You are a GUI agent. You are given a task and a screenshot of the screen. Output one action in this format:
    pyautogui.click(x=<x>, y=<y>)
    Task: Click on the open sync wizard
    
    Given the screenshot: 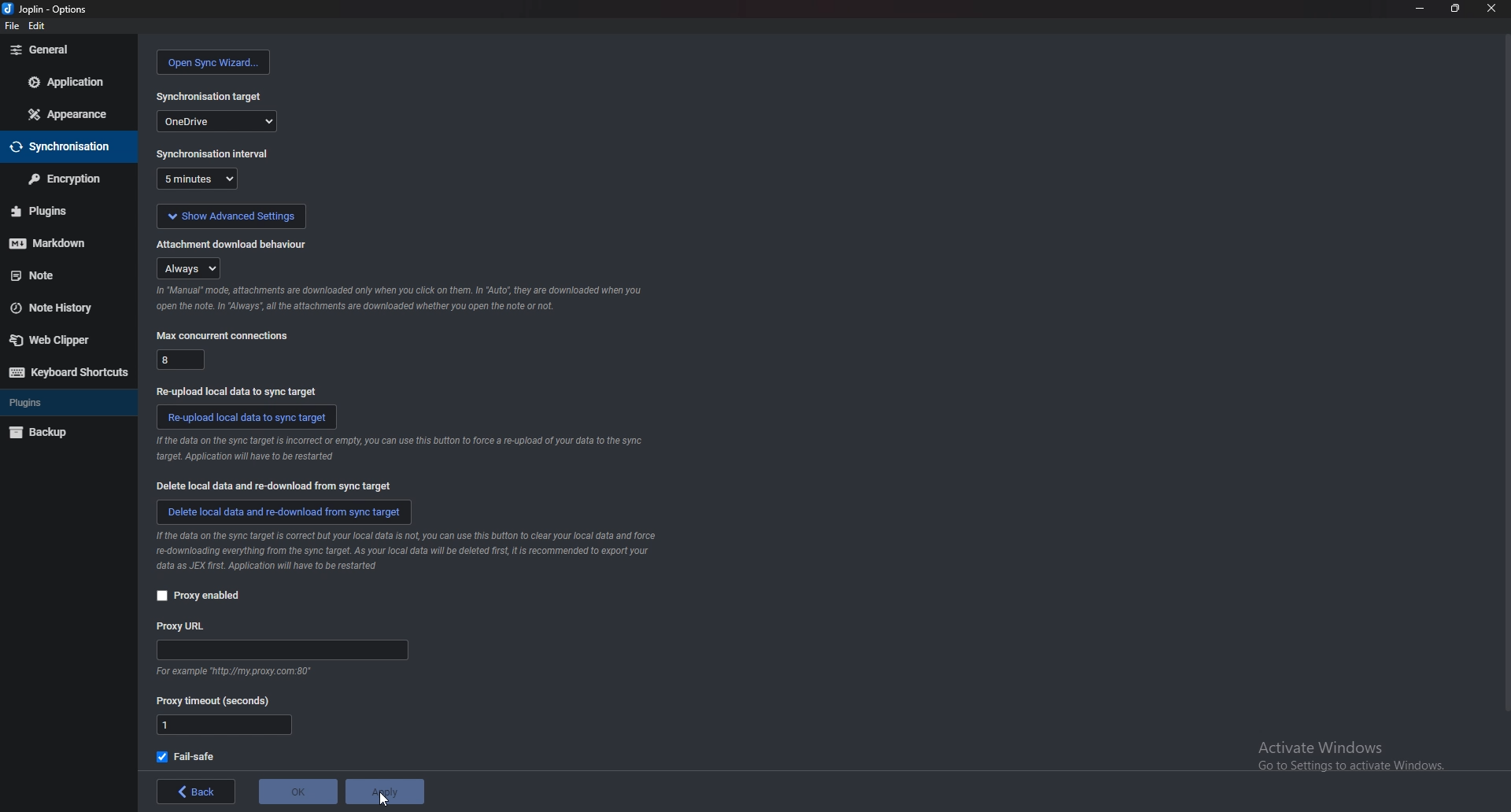 What is the action you would take?
    pyautogui.click(x=216, y=62)
    